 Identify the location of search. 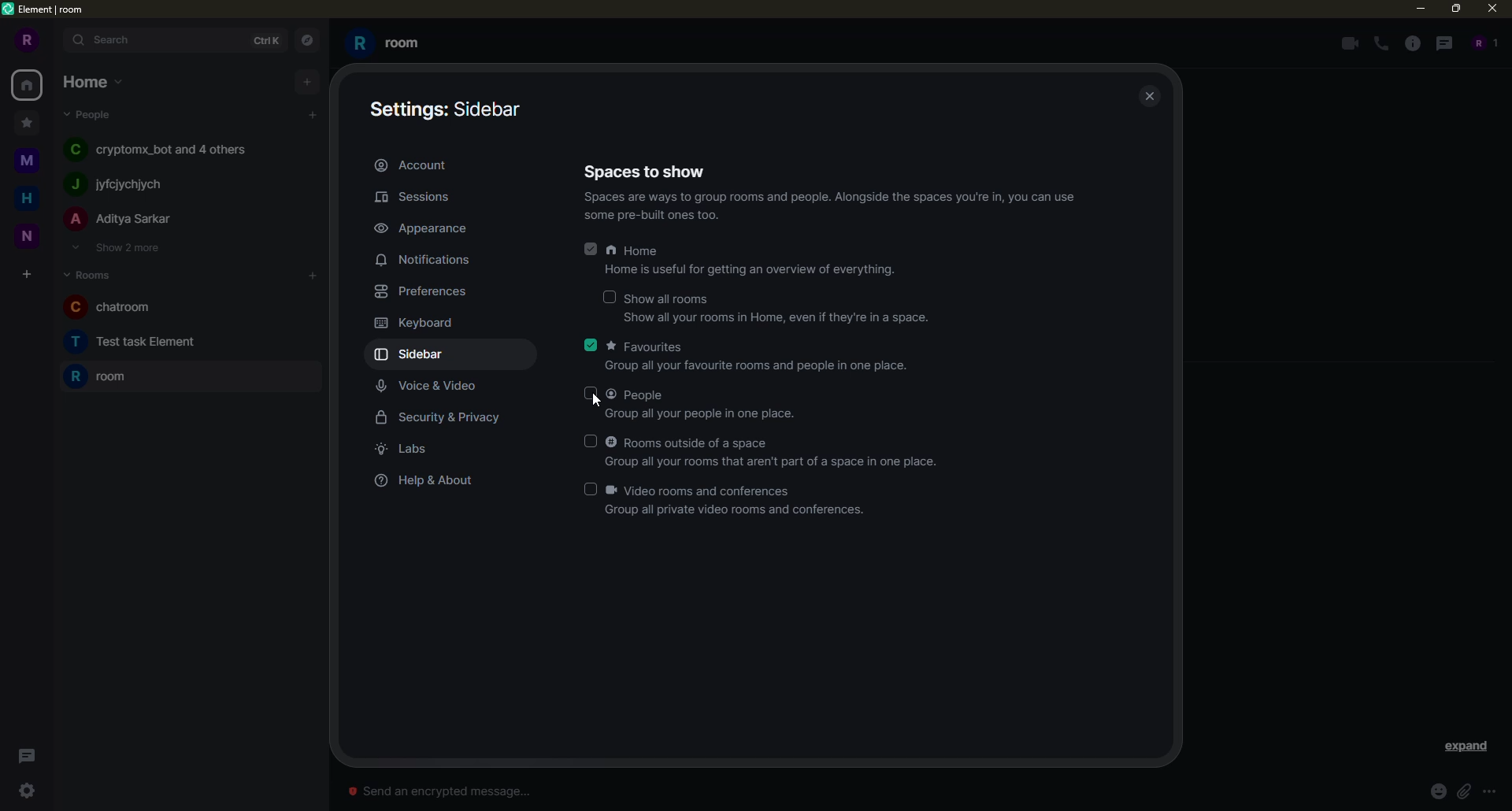
(112, 40).